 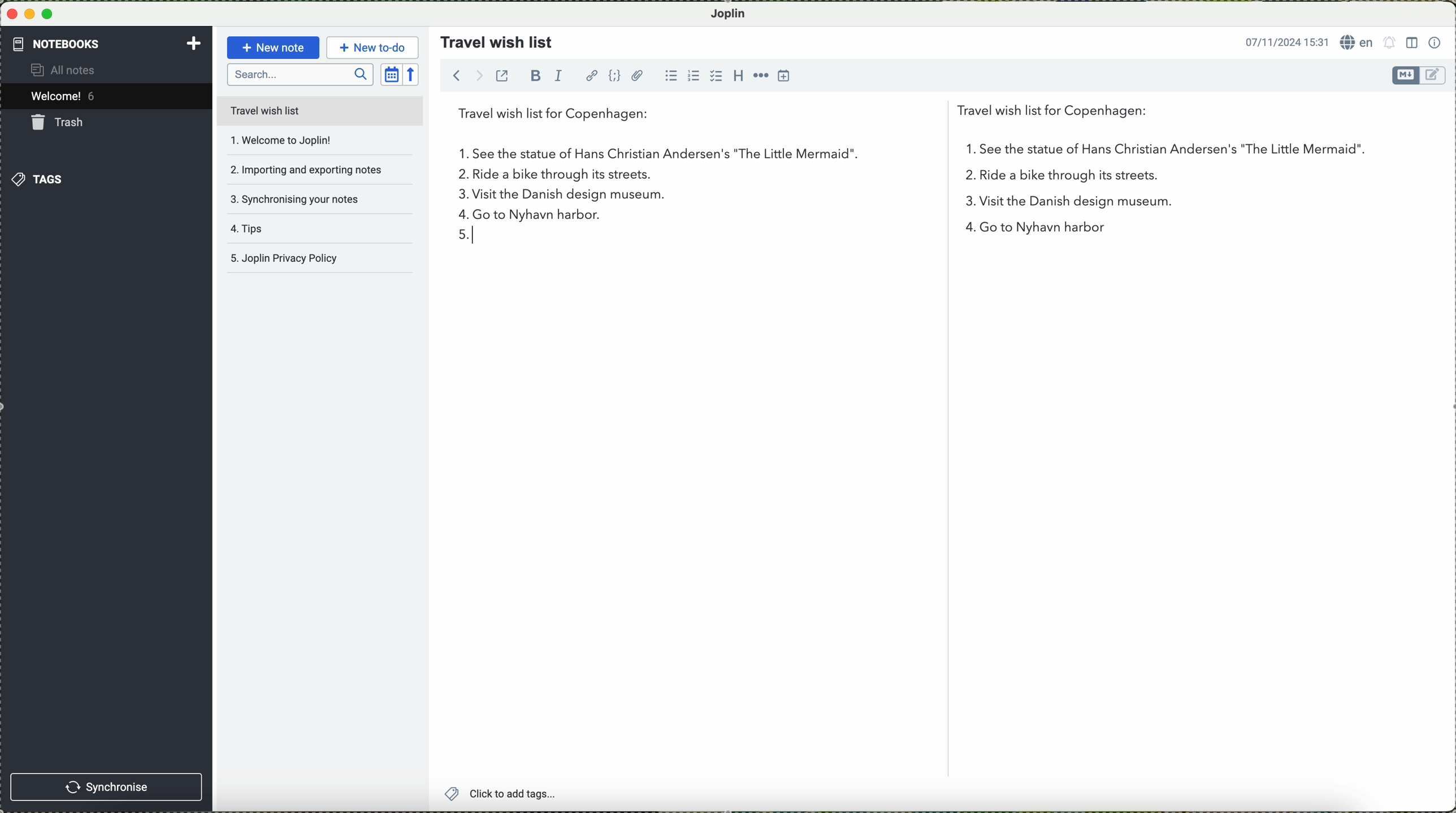 What do you see at coordinates (1037, 178) in the screenshot?
I see `2 in the list` at bounding box center [1037, 178].